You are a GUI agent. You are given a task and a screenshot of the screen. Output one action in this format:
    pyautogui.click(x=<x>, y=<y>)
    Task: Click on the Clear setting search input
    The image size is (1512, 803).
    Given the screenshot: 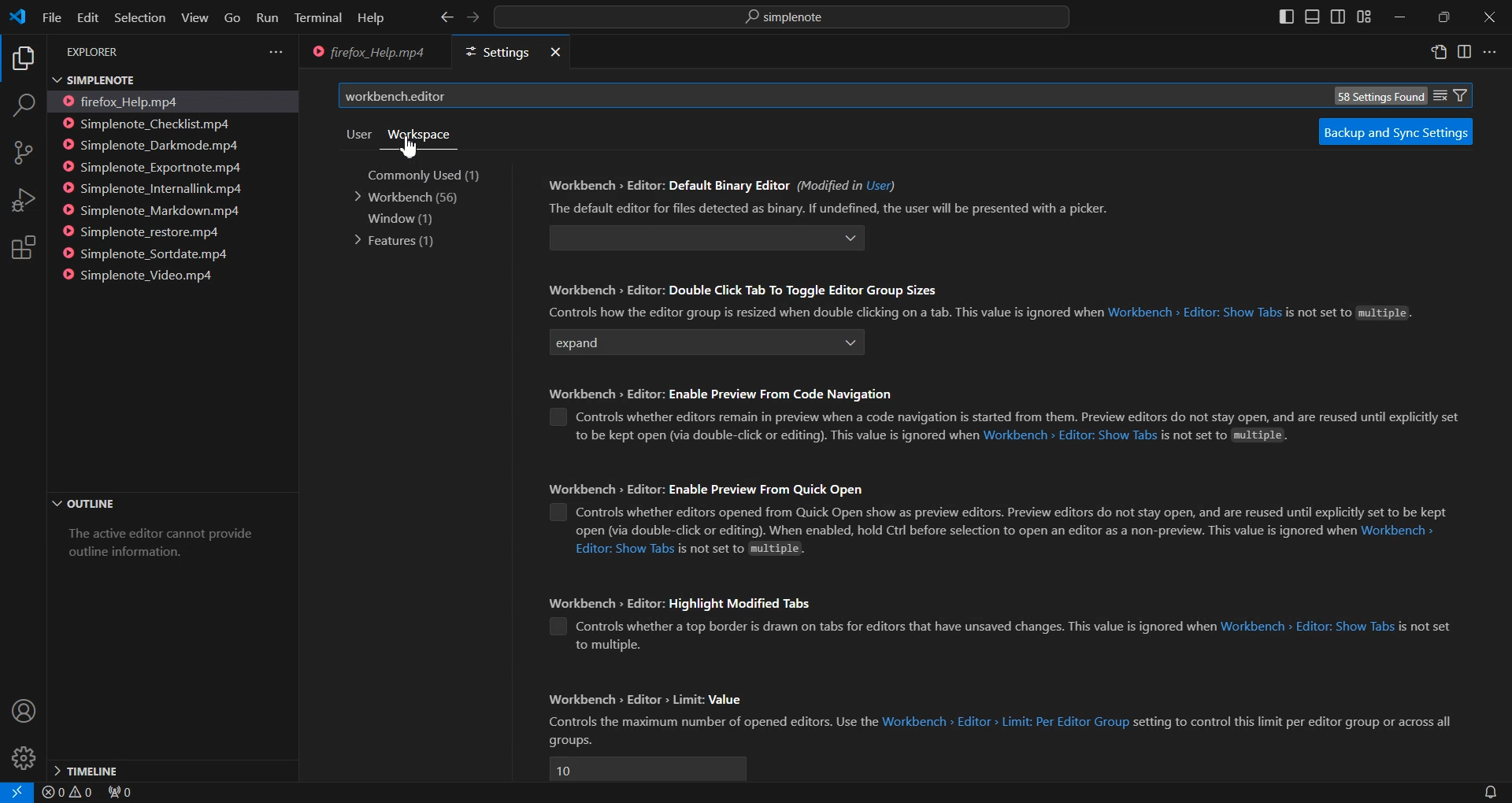 What is the action you would take?
    pyautogui.click(x=1440, y=94)
    